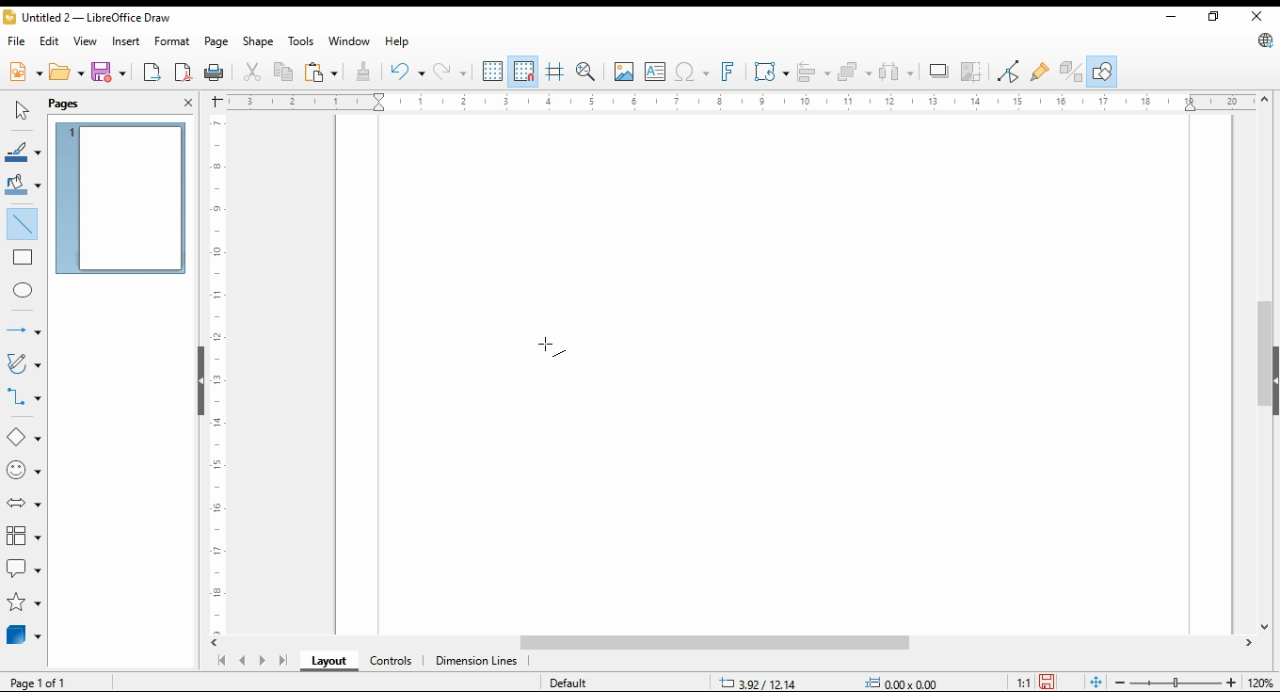  Describe the element at coordinates (1023, 681) in the screenshot. I see `1:1` at that location.